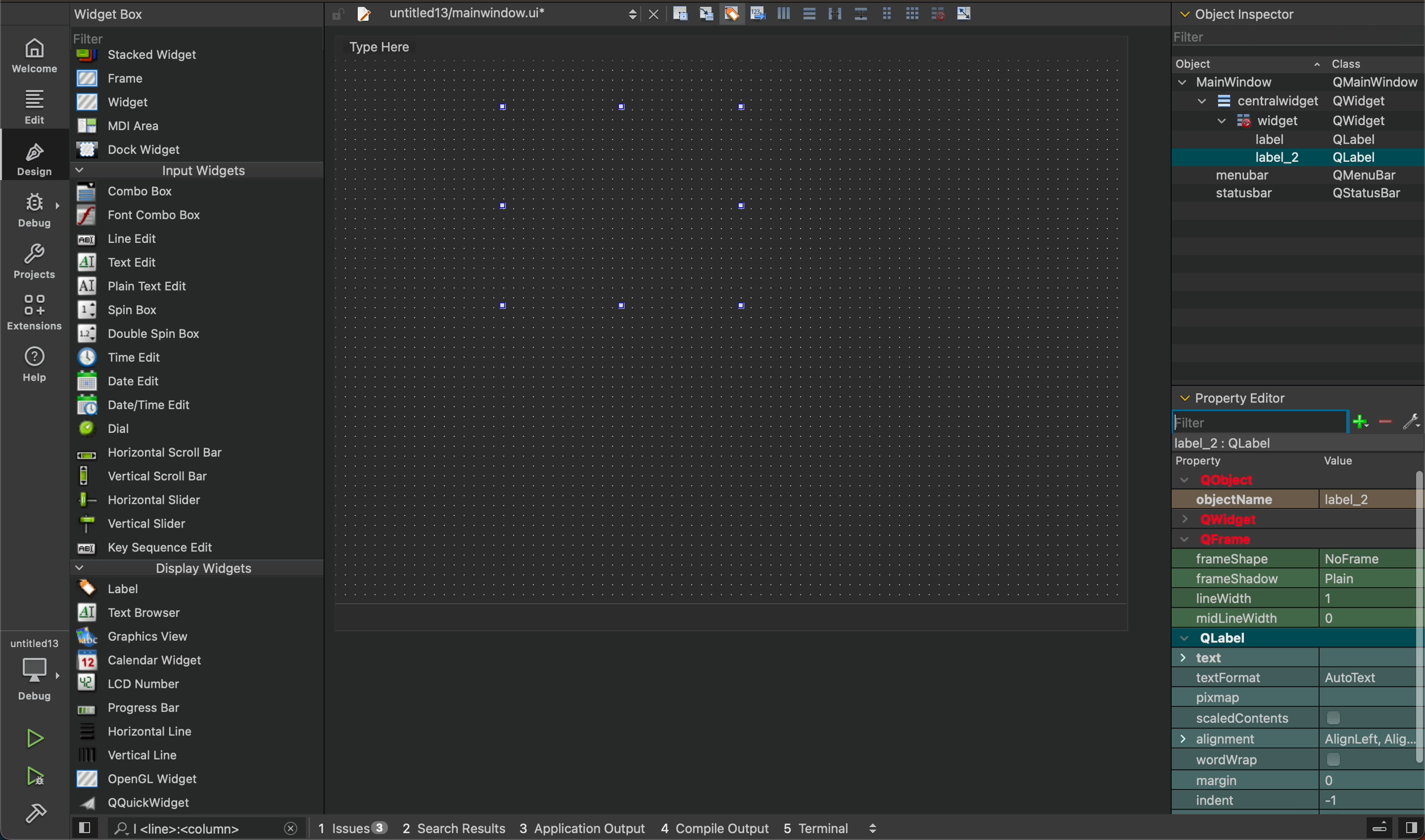 The width and height of the screenshot is (1425, 840). I want to click on margin, so click(1298, 781).